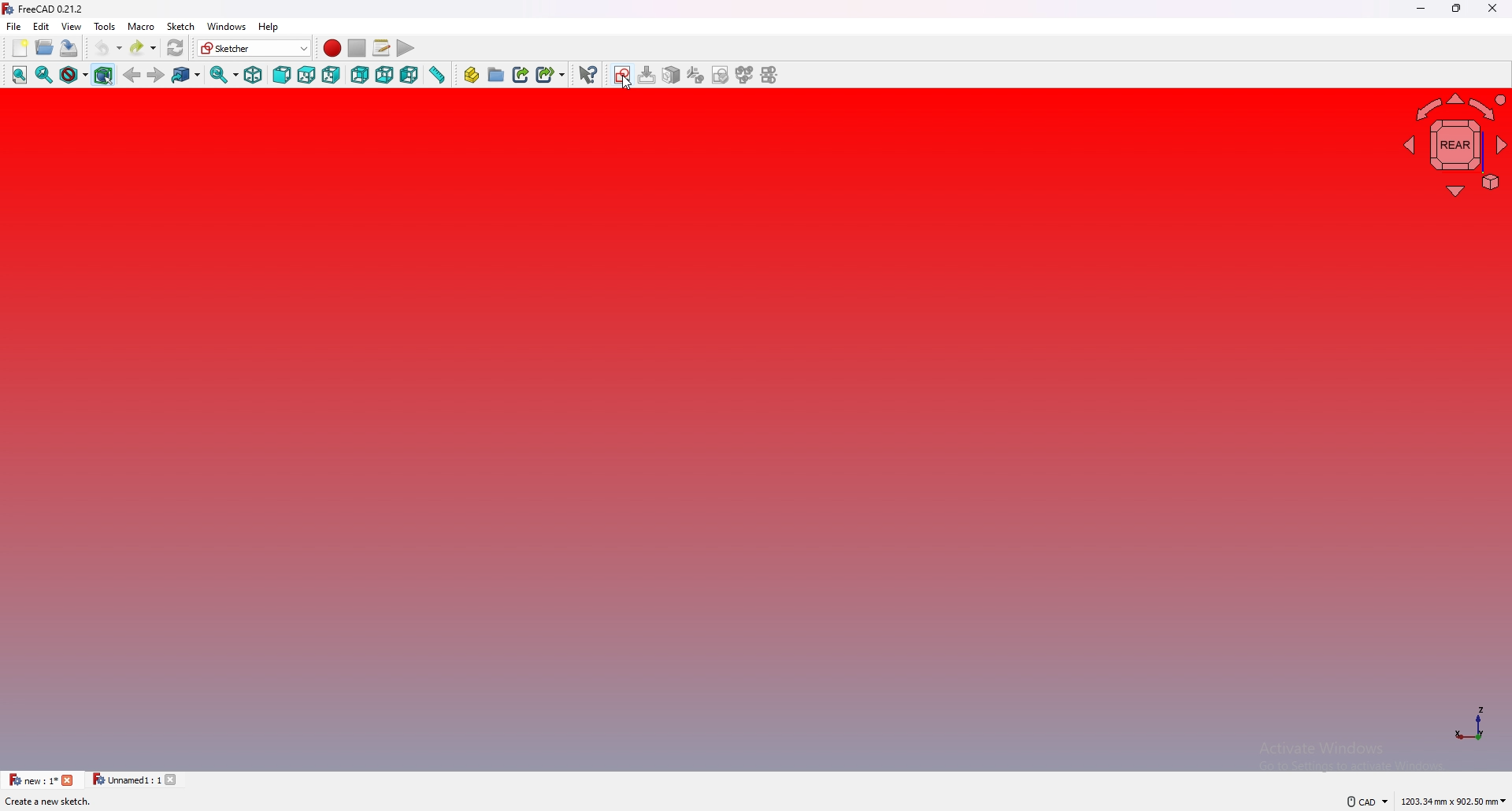  Describe the element at coordinates (224, 74) in the screenshot. I see `synced view` at that location.